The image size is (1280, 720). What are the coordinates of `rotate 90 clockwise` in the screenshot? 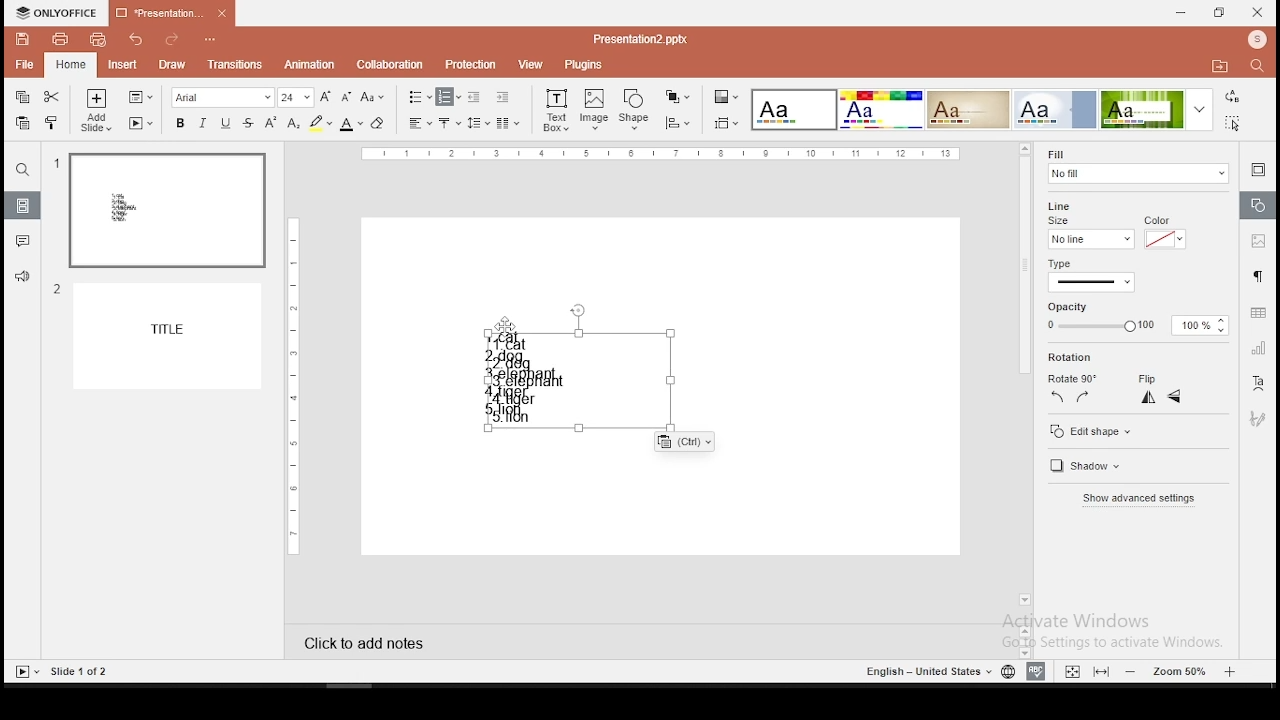 It's located at (1082, 397).